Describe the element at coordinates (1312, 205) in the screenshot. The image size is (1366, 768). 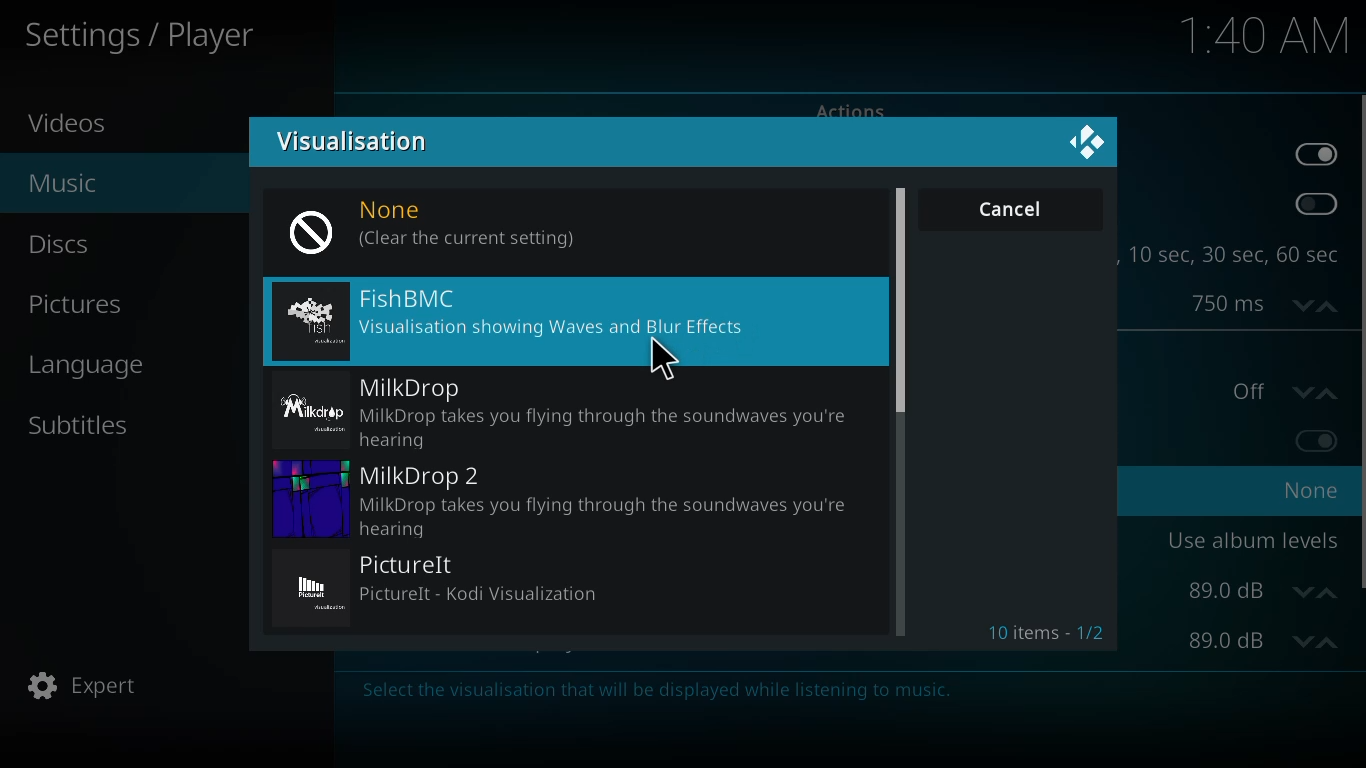
I see `enable` at that location.